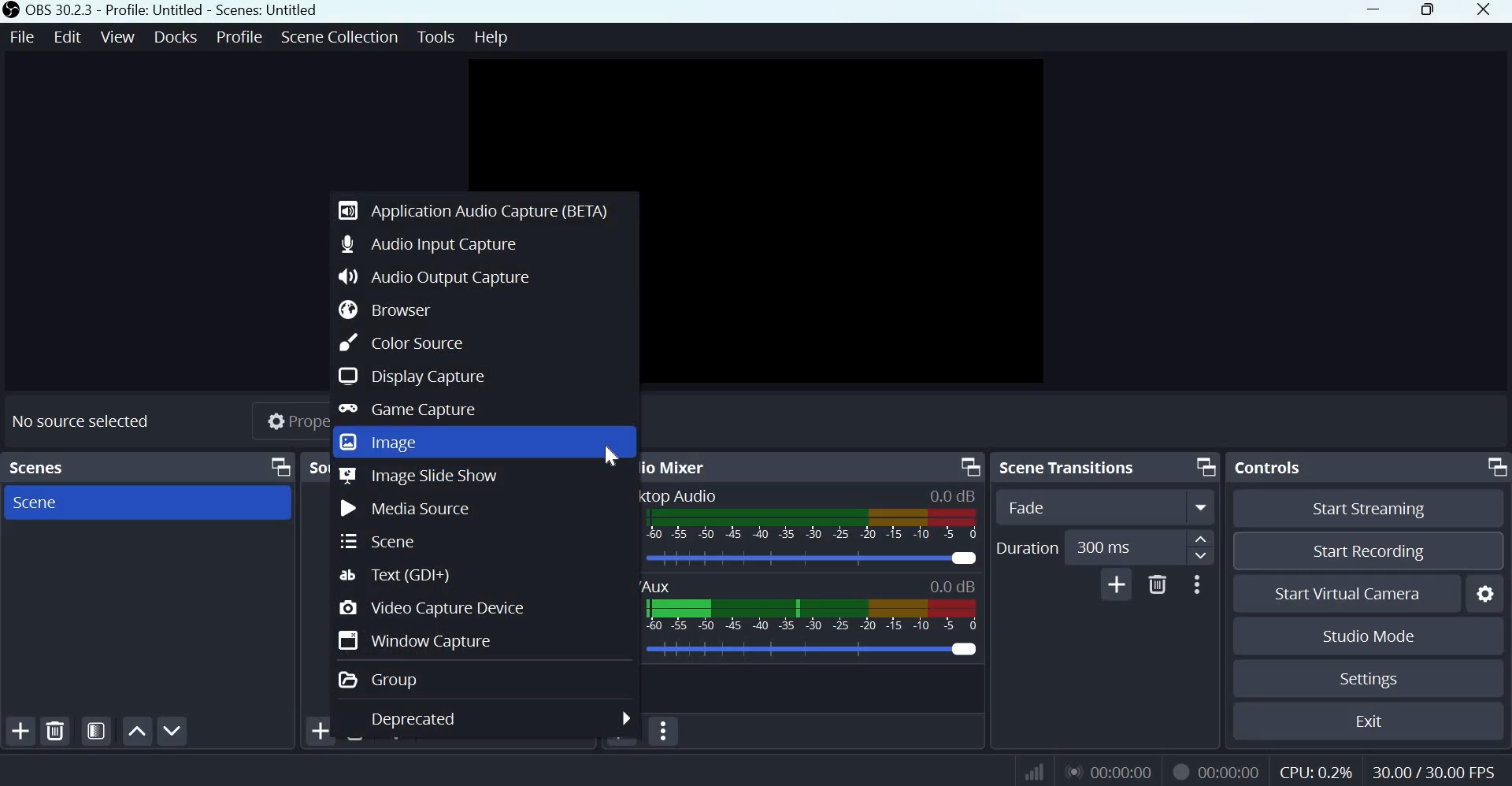 The height and width of the screenshot is (786, 1512). What do you see at coordinates (68, 35) in the screenshot?
I see `edit` at bounding box center [68, 35].